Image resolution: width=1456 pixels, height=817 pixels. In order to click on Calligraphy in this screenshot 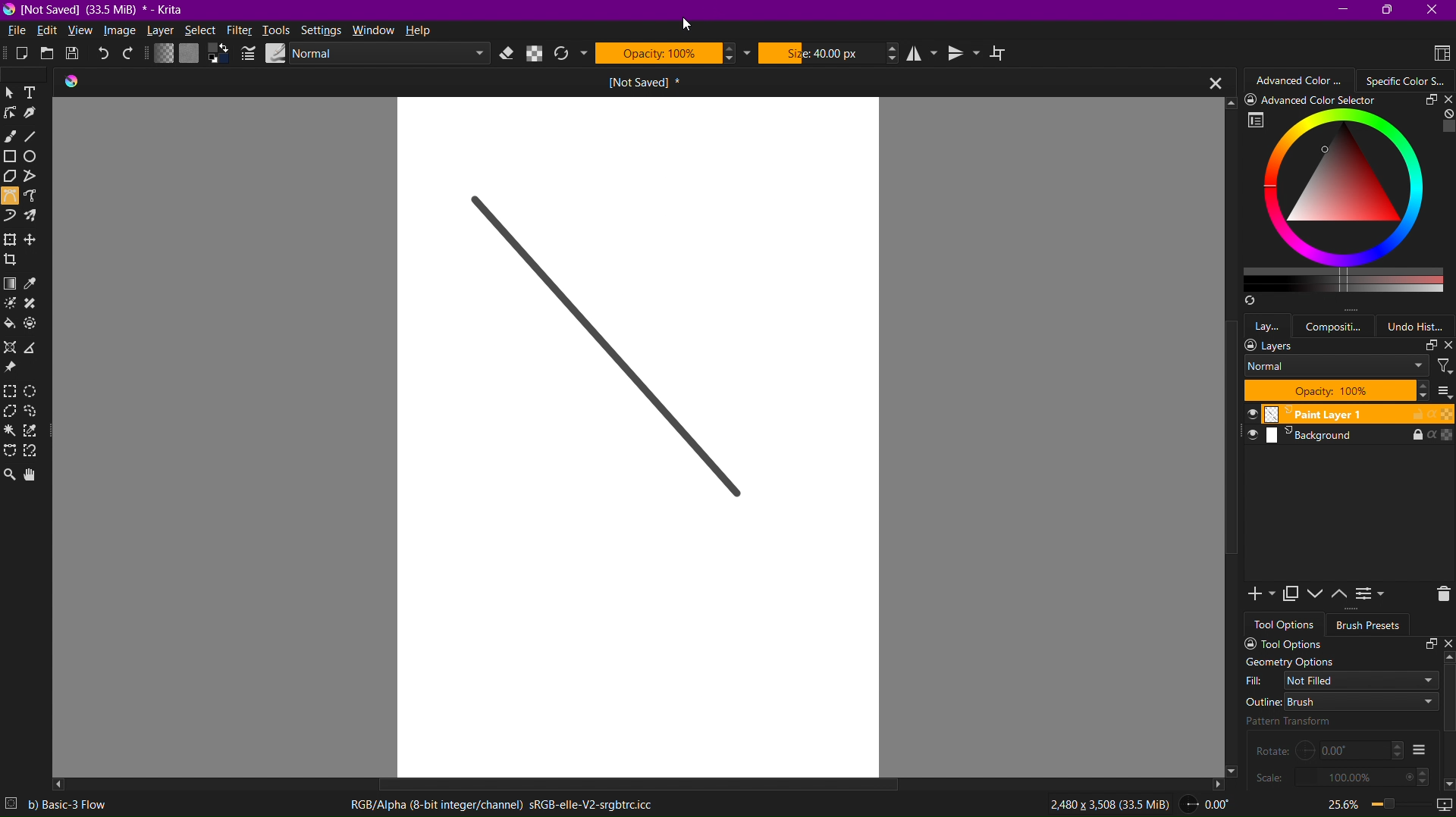, I will do `click(39, 116)`.